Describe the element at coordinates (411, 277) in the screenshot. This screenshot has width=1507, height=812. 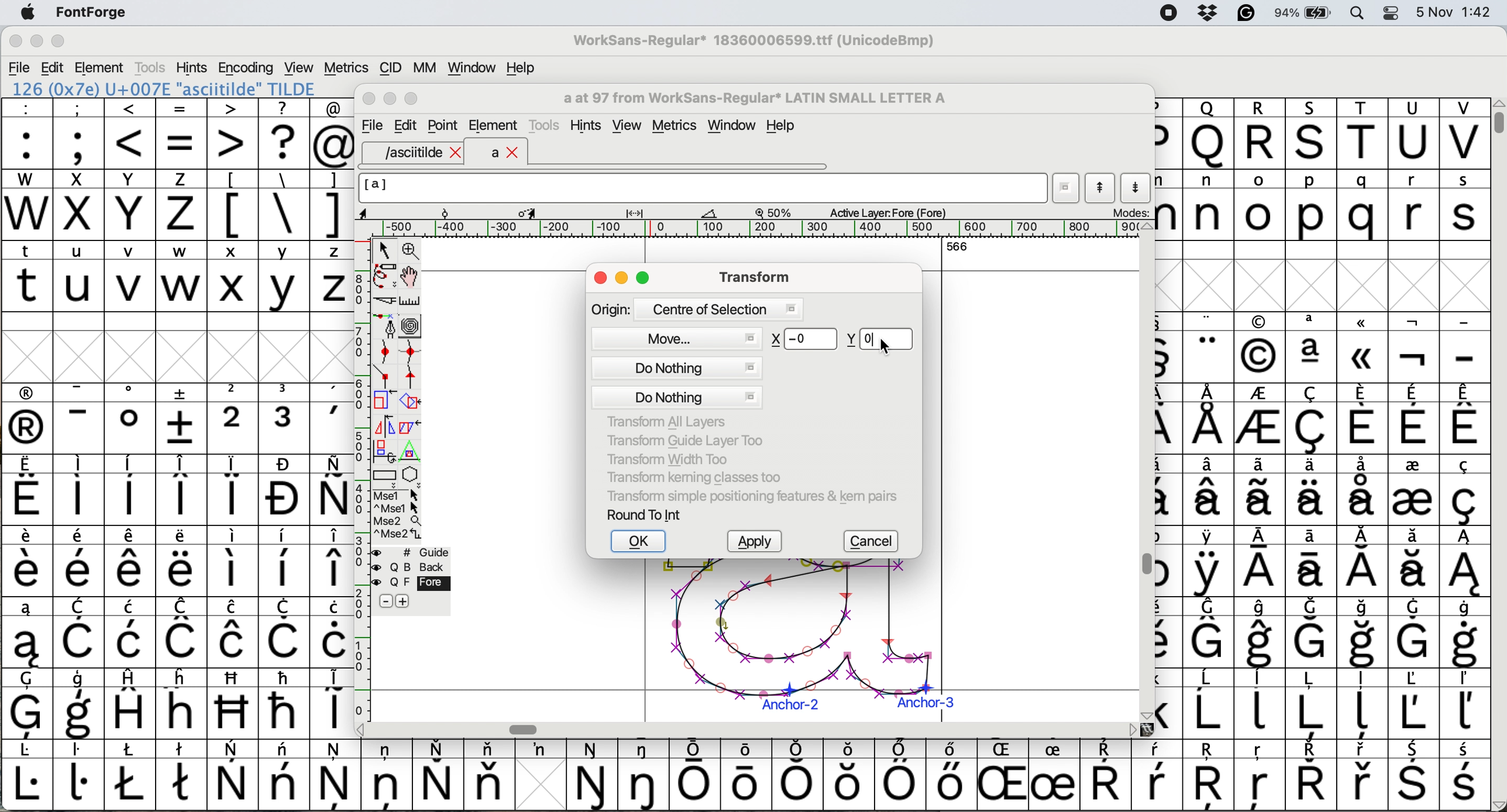
I see `scroll by hand` at that location.